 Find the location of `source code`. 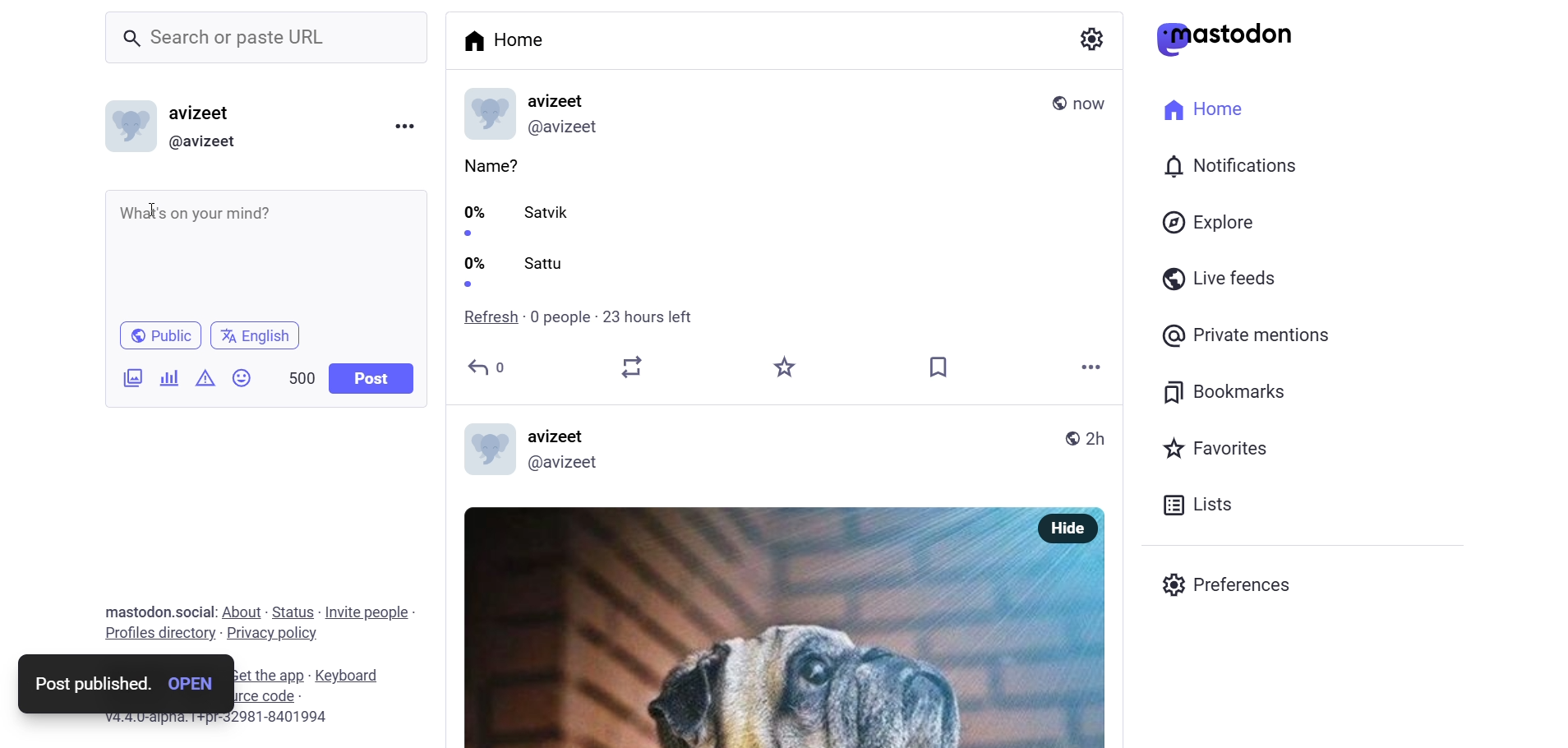

source code is located at coordinates (285, 696).